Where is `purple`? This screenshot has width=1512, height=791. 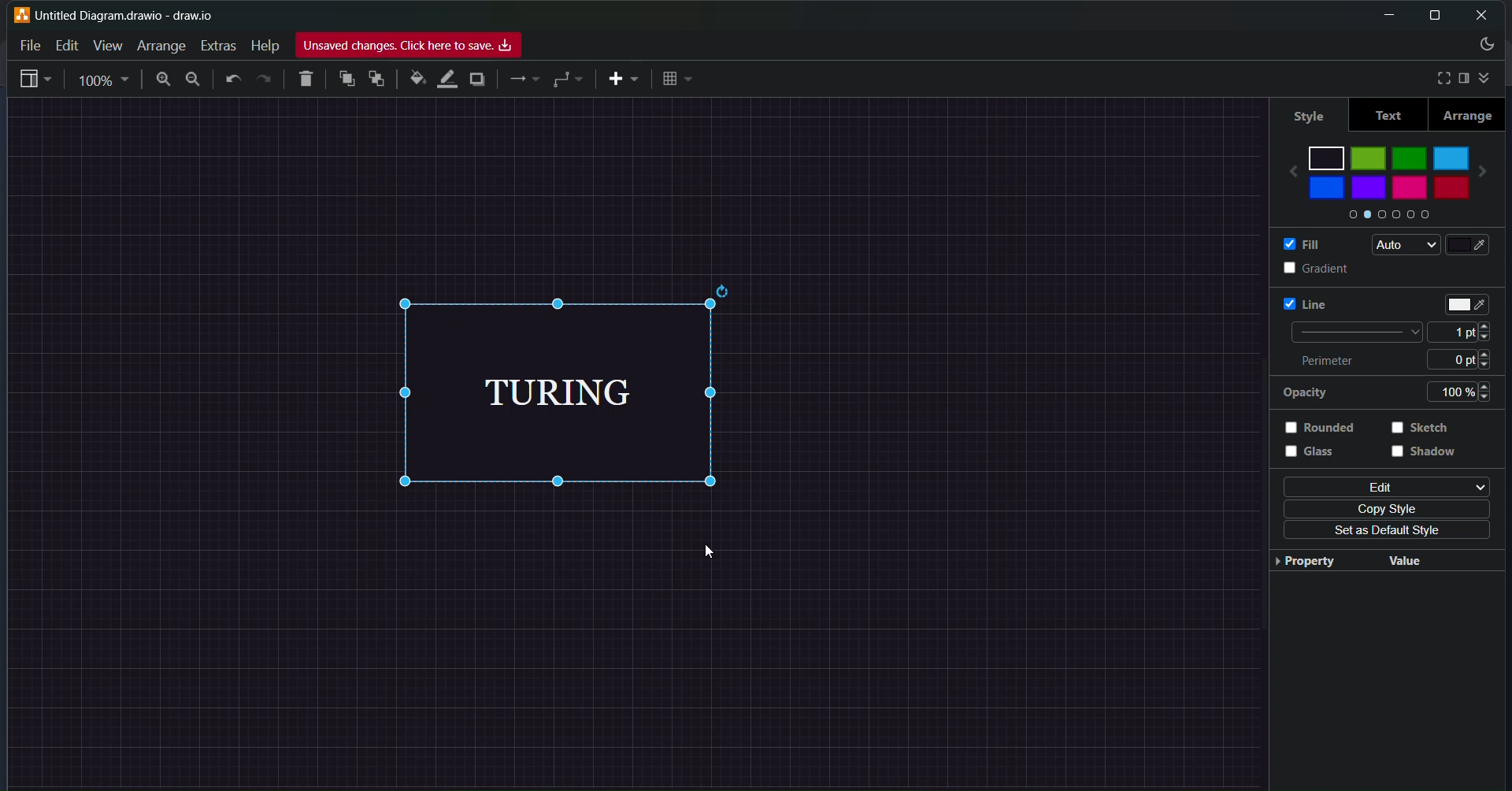 purple is located at coordinates (1371, 188).